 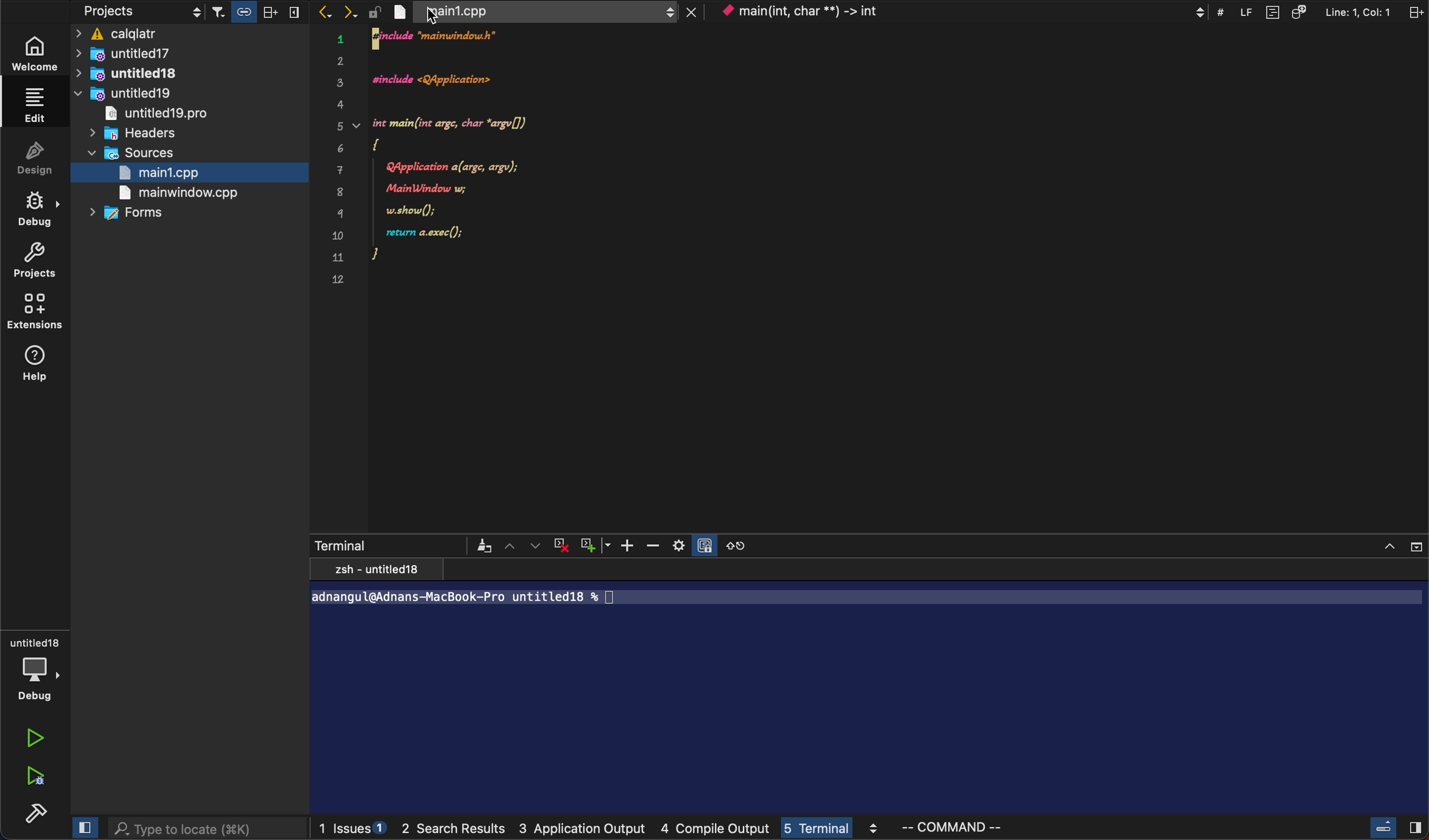 I want to click on run, so click(x=35, y=740).